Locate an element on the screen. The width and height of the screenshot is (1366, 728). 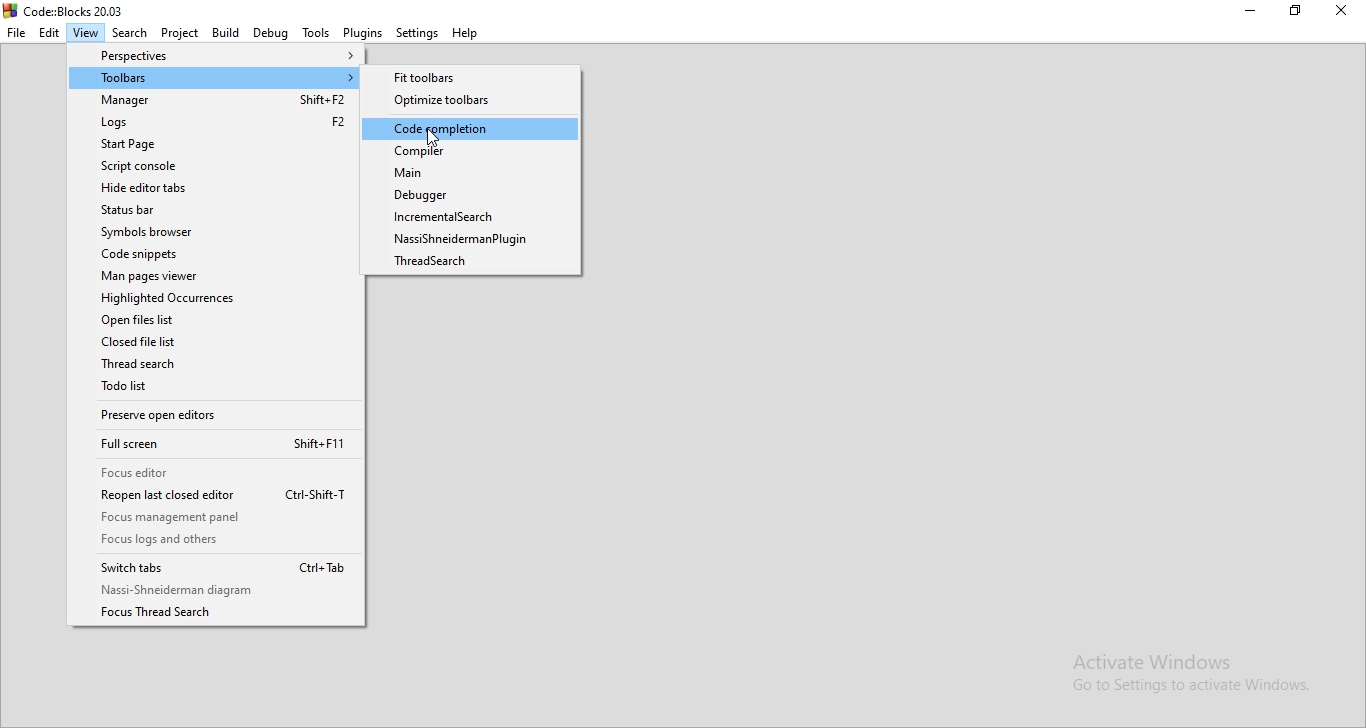
Minimise is located at coordinates (1254, 14).